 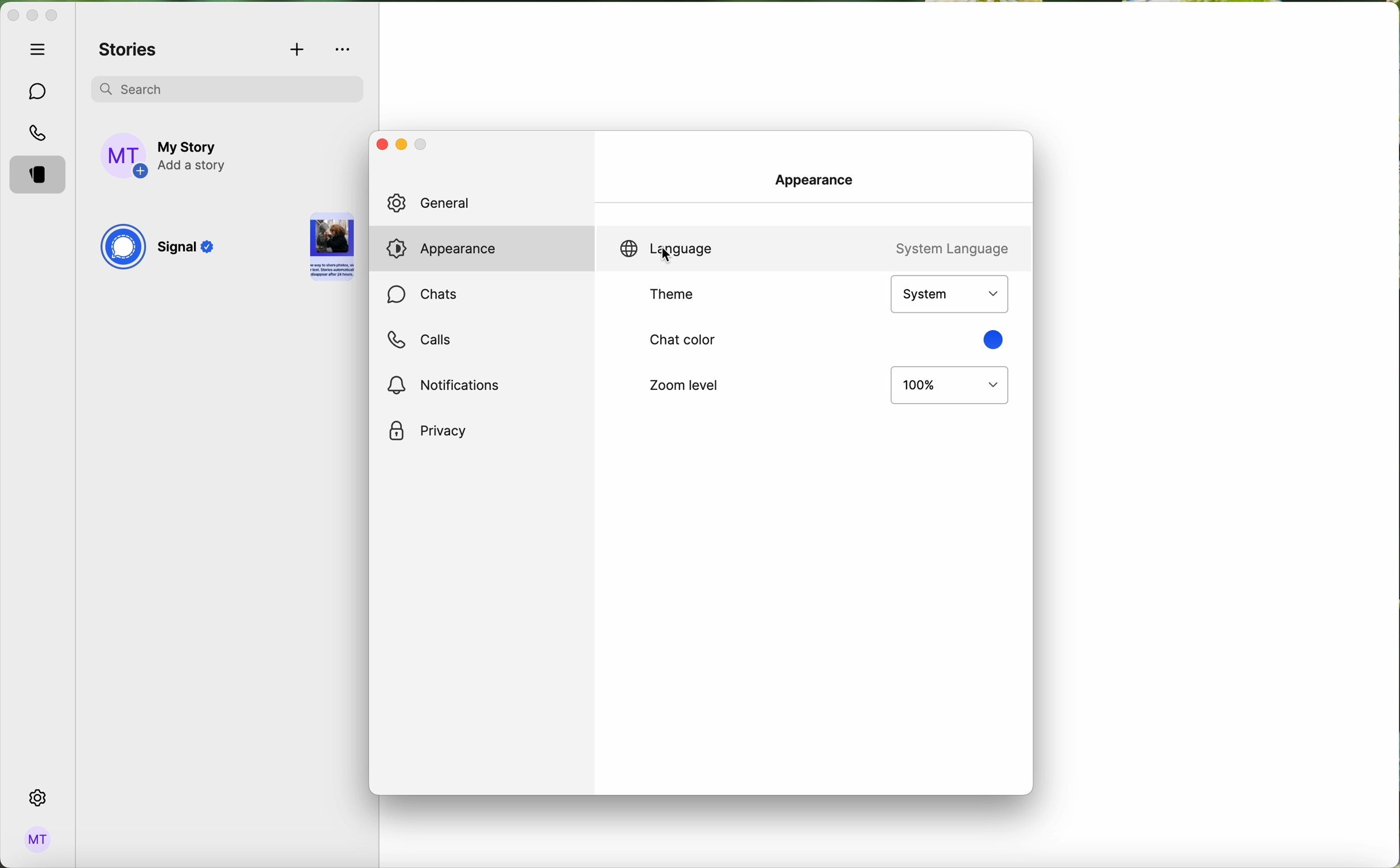 I want to click on minimise, so click(x=422, y=147).